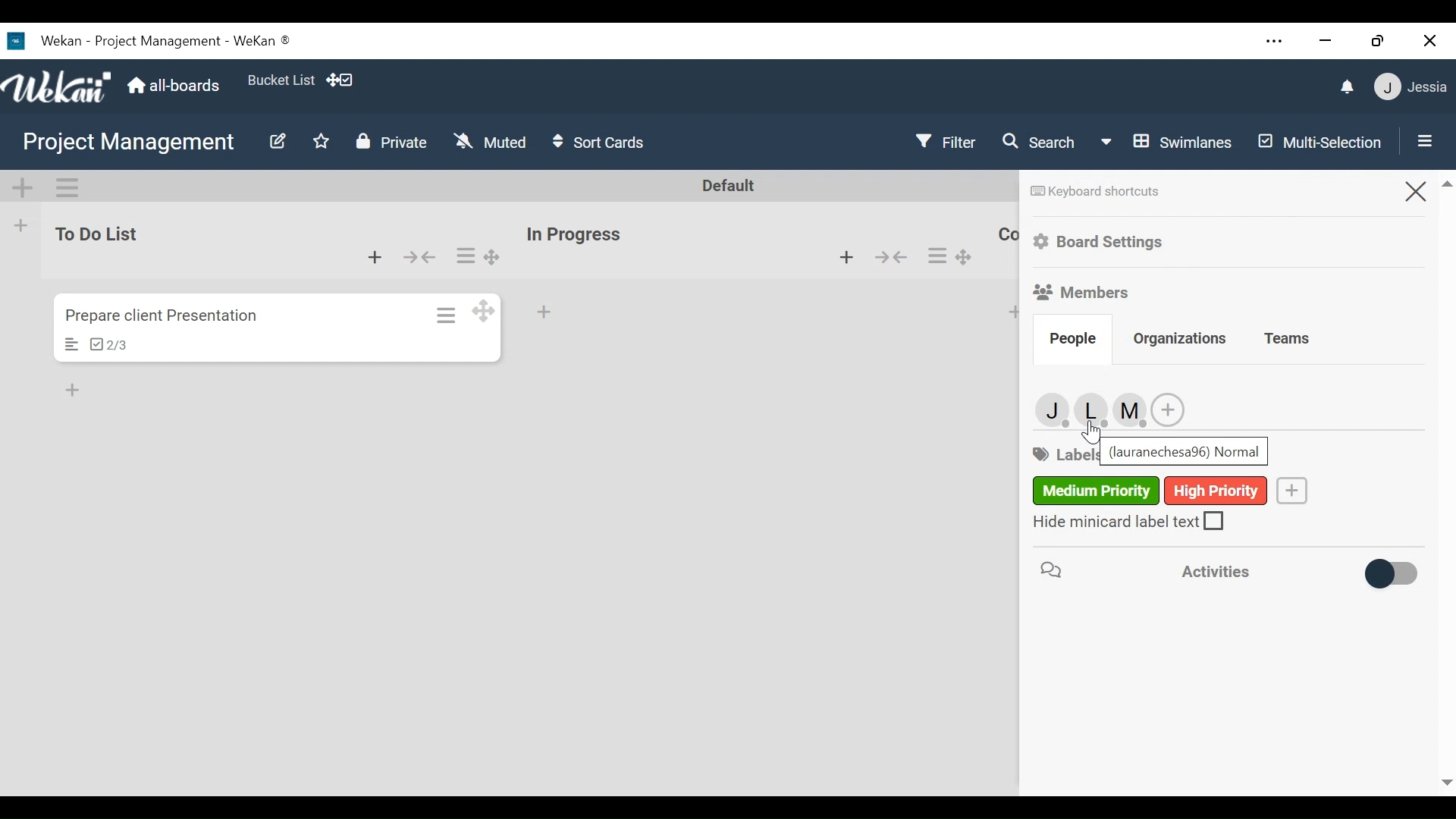 This screenshot has height=819, width=1456. What do you see at coordinates (375, 256) in the screenshot?
I see `Add card to bottom of thelist` at bounding box center [375, 256].